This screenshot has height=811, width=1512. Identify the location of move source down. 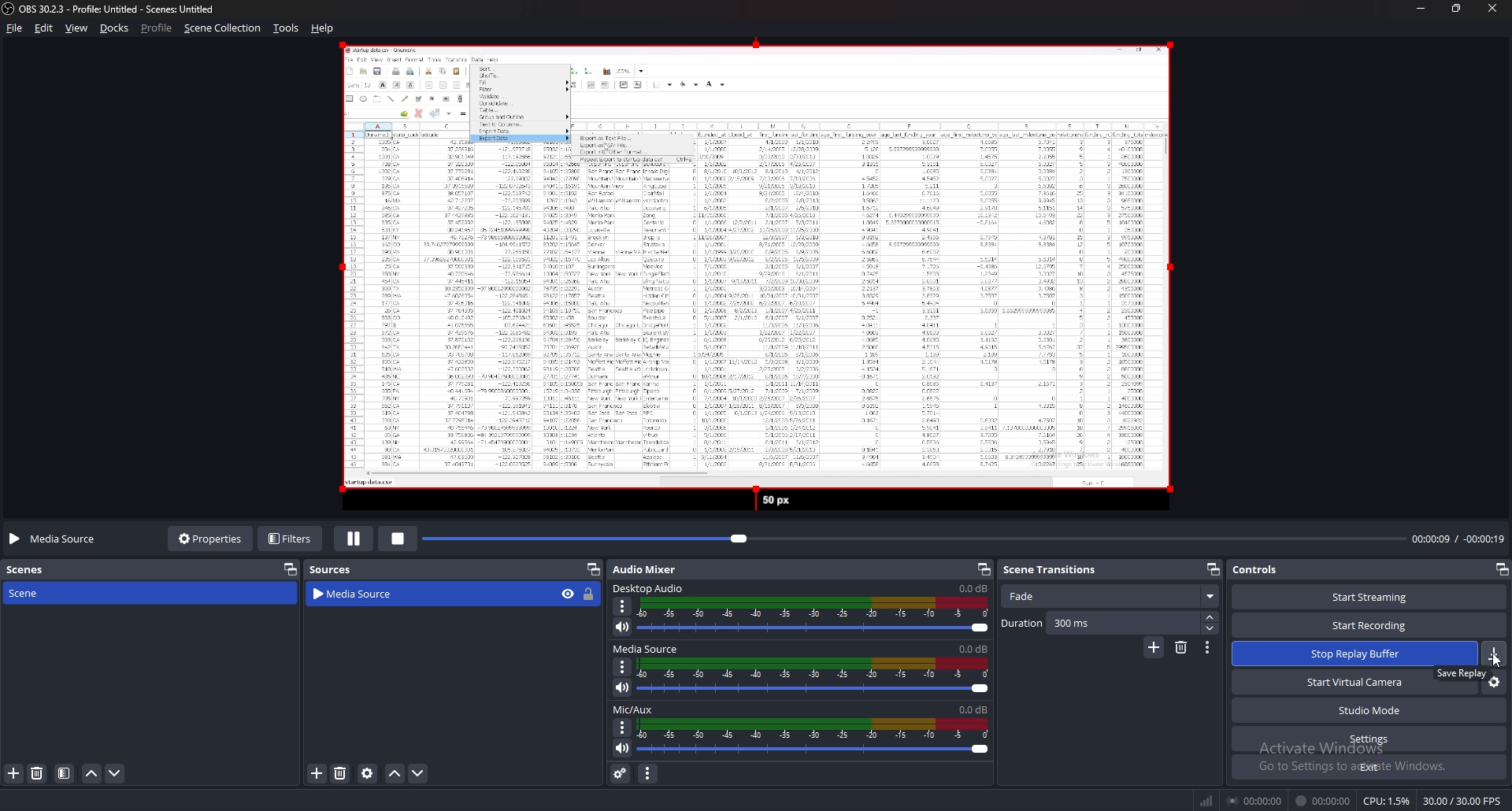
(418, 773).